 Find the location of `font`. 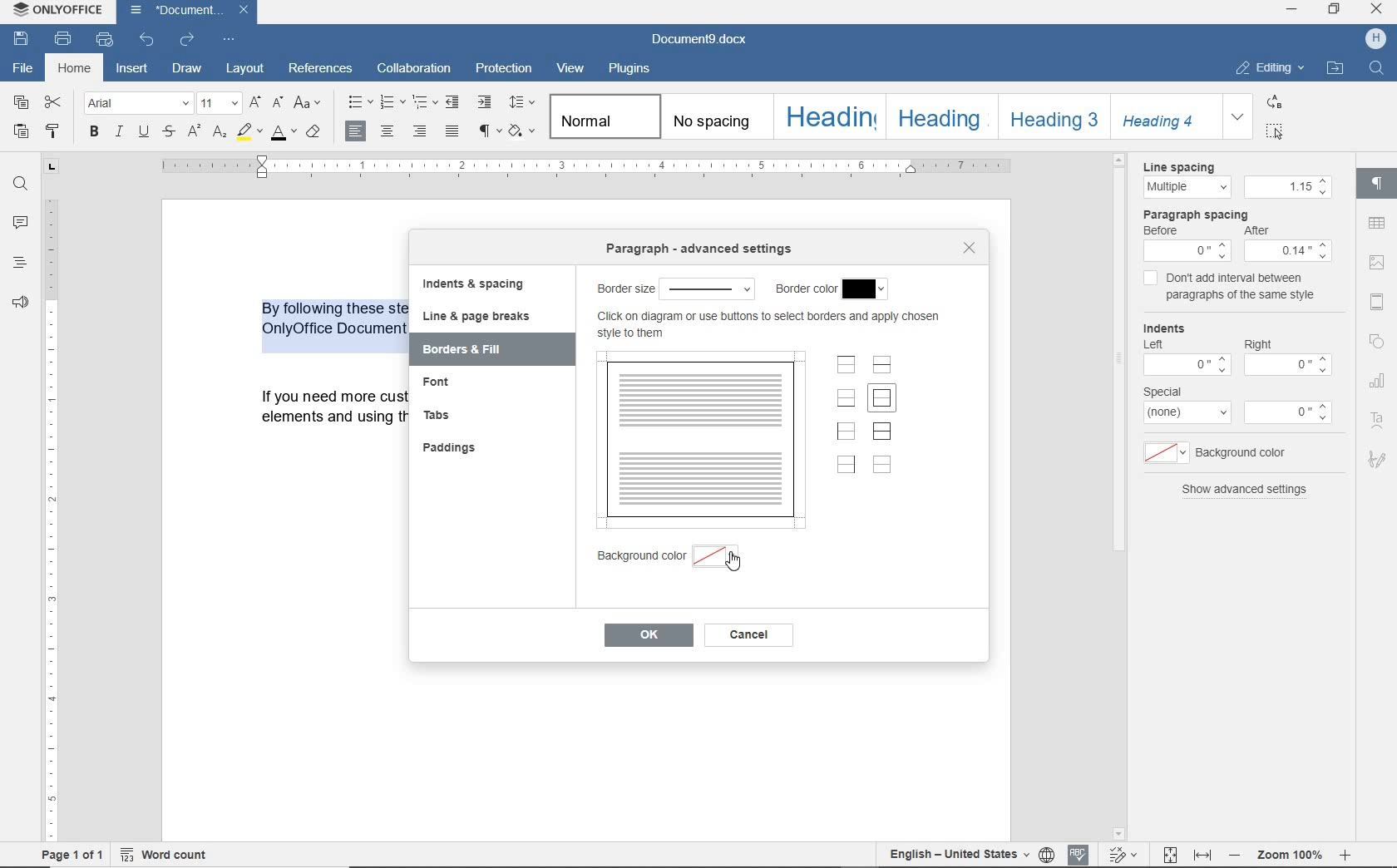

font is located at coordinates (446, 386).